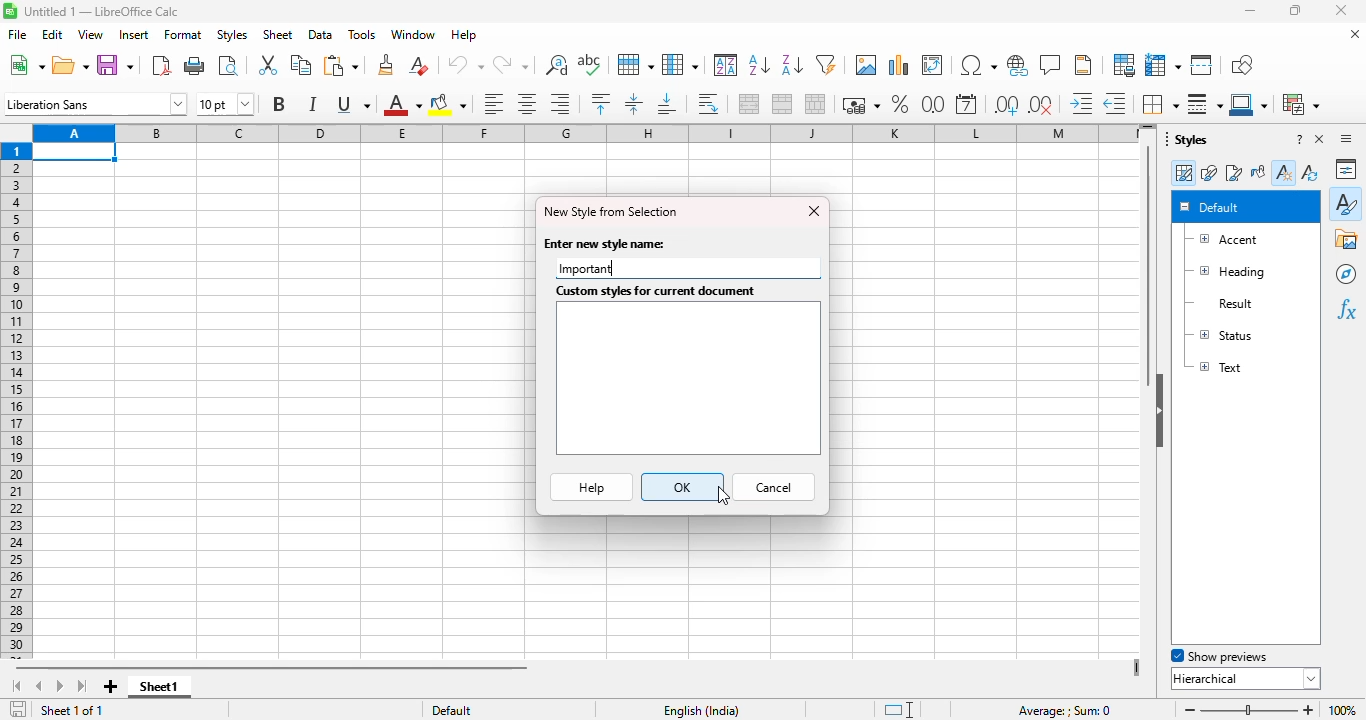  What do you see at coordinates (934, 104) in the screenshot?
I see `format as number` at bounding box center [934, 104].